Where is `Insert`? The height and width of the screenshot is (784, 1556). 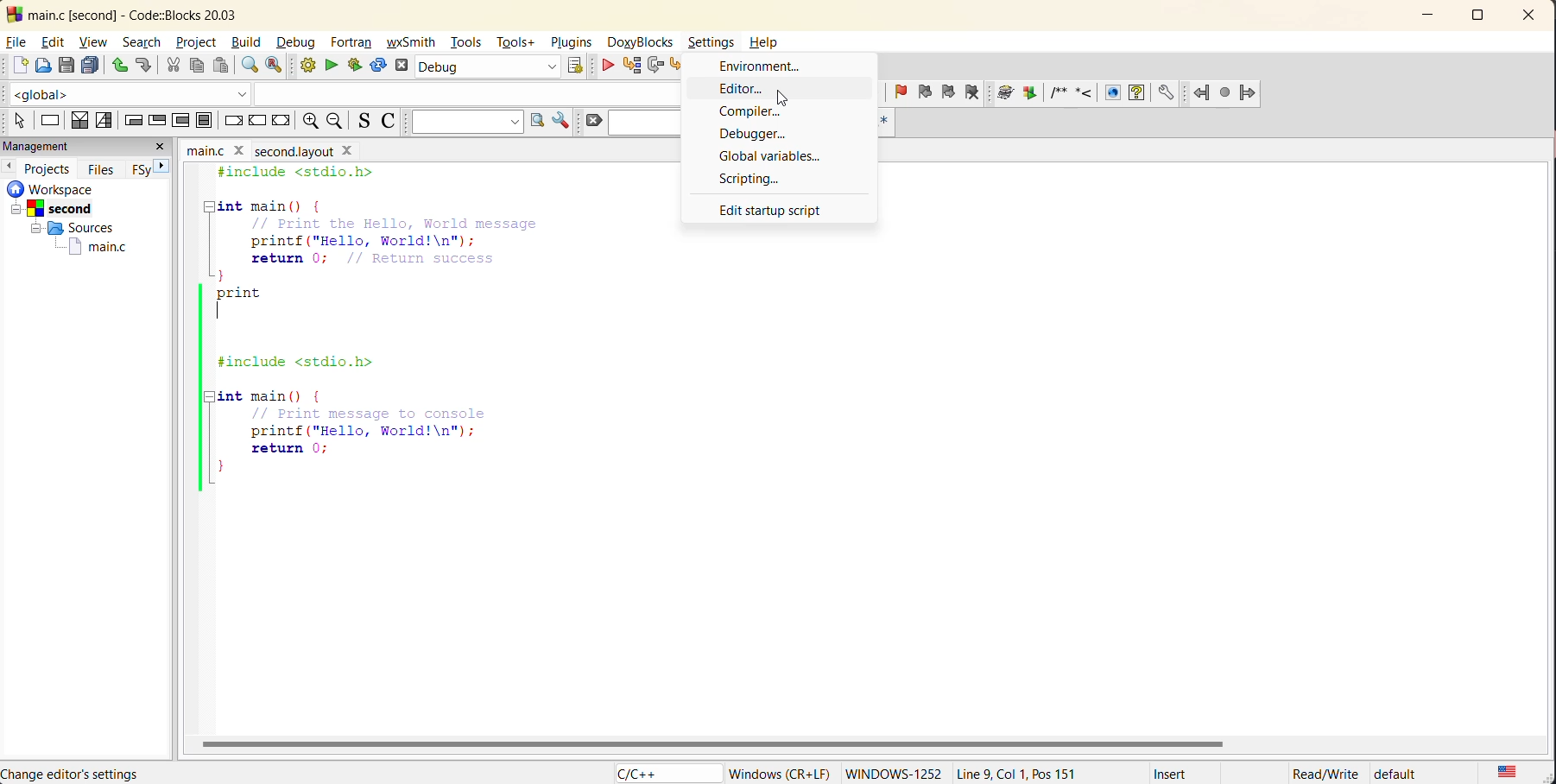
Insert is located at coordinates (1170, 773).